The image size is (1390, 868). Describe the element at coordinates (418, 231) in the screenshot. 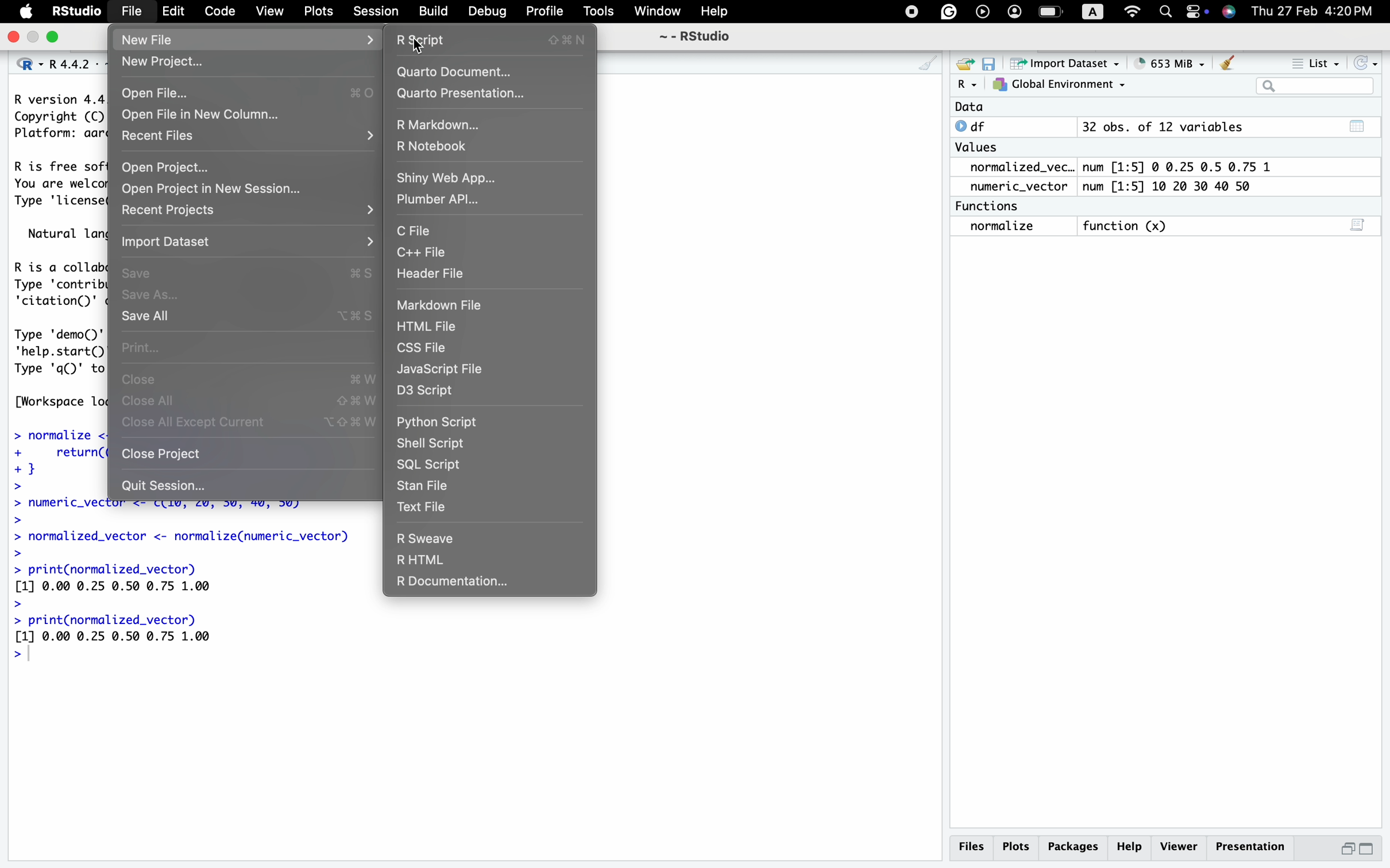

I see `C File` at that location.